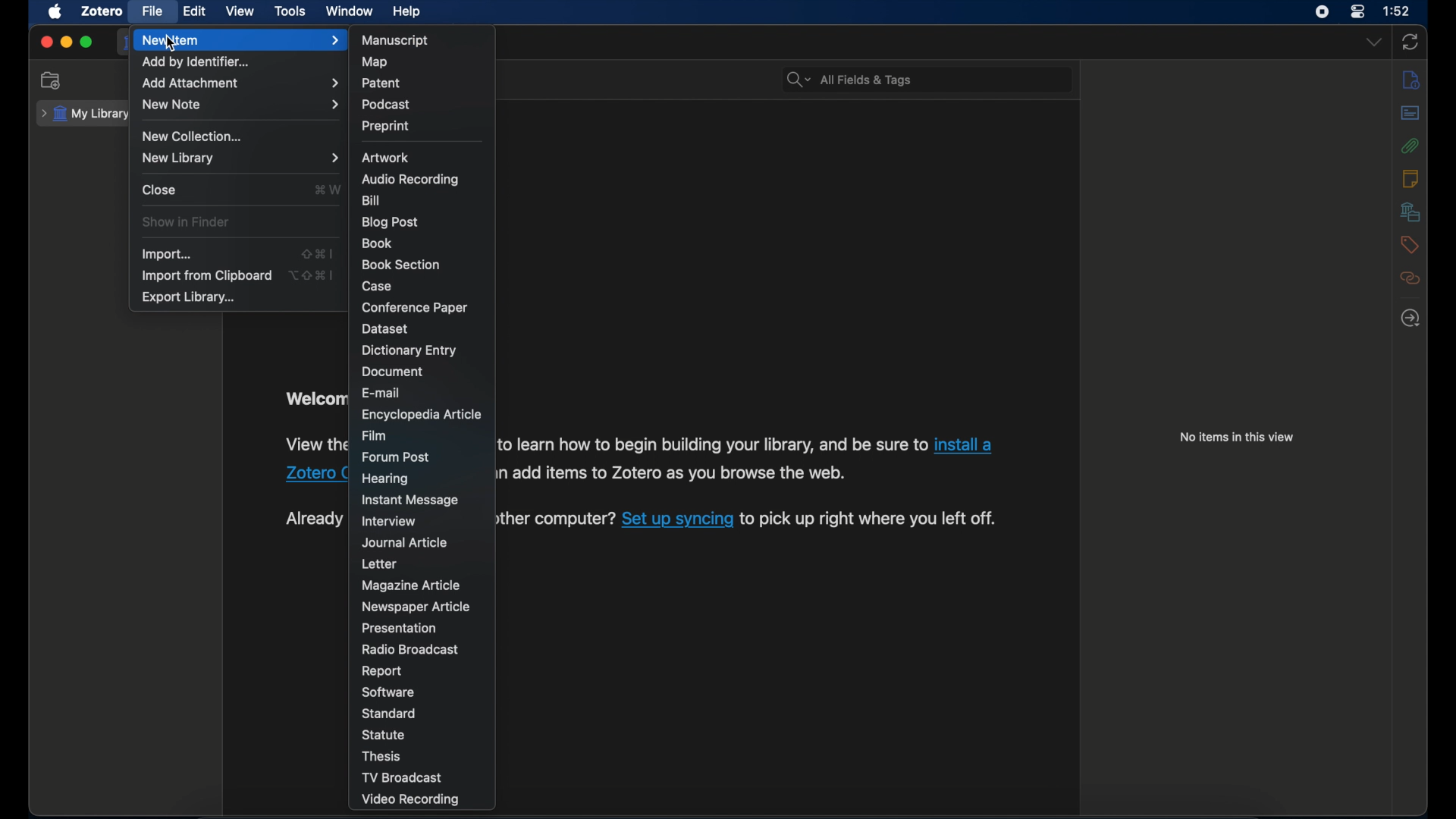  Describe the element at coordinates (165, 254) in the screenshot. I see `import` at that location.